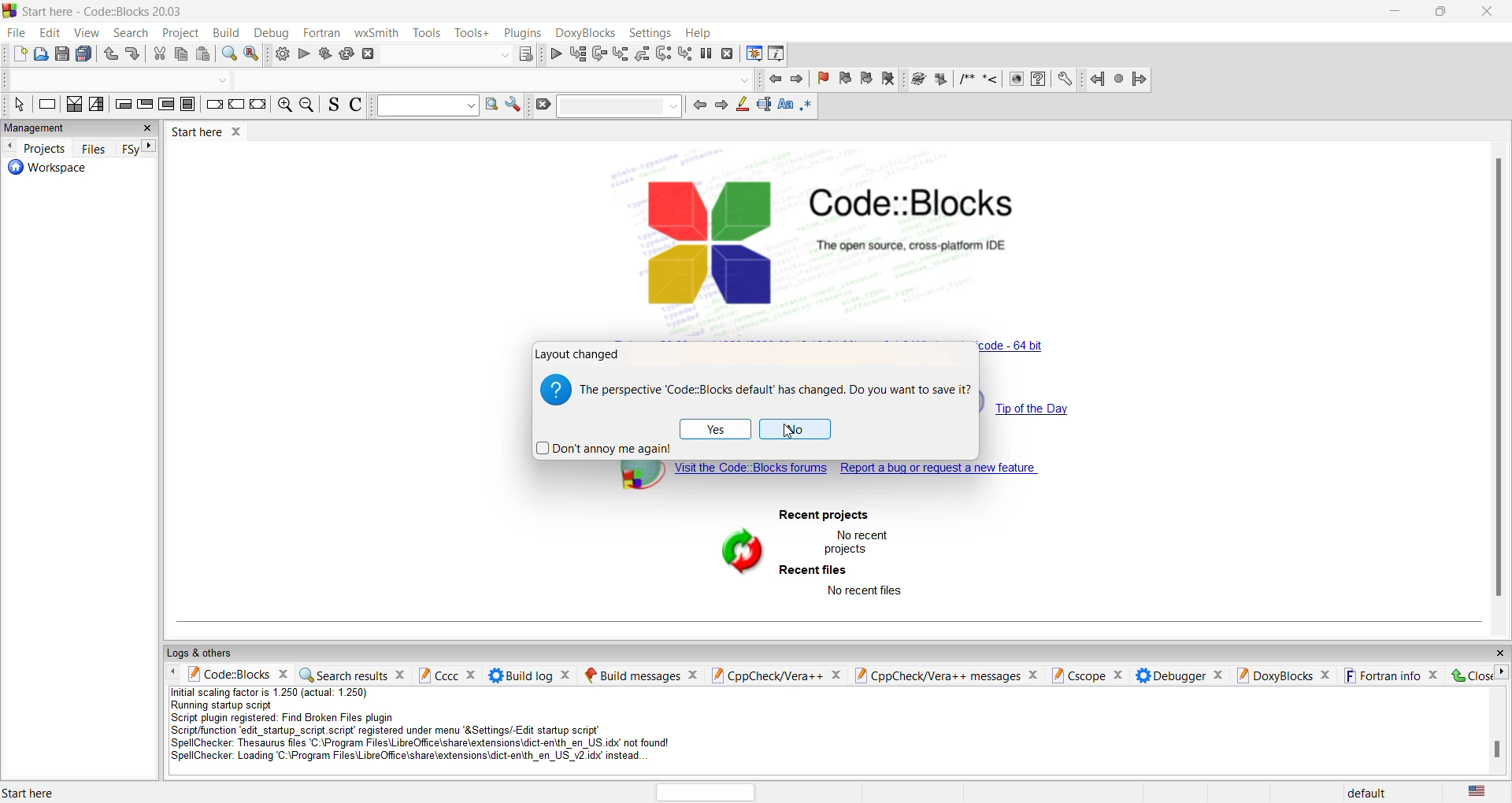  What do you see at coordinates (131, 55) in the screenshot?
I see `redo` at bounding box center [131, 55].